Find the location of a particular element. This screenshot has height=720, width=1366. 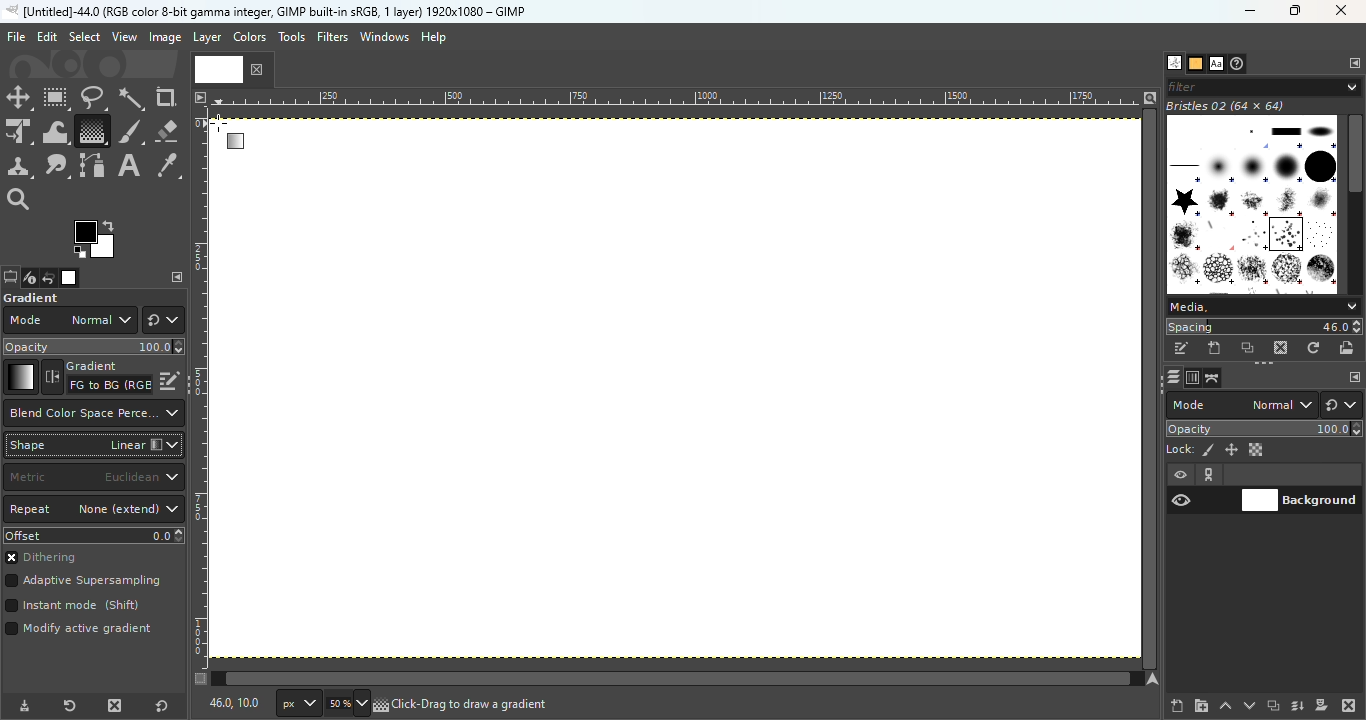

Create a new layer and add it to the image is located at coordinates (1178, 706).